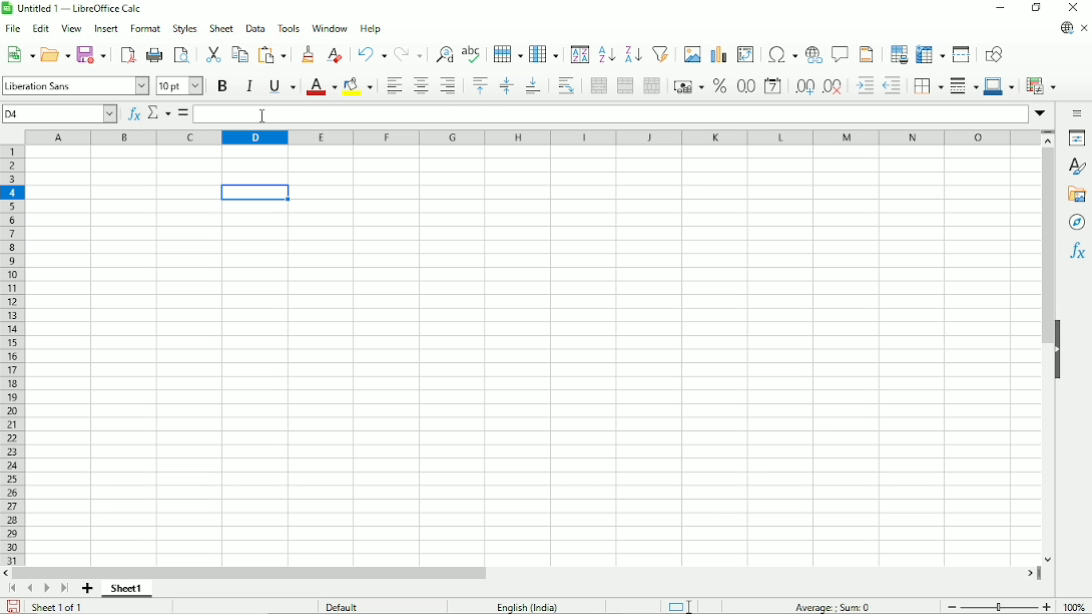  I want to click on Add decimal place, so click(804, 87).